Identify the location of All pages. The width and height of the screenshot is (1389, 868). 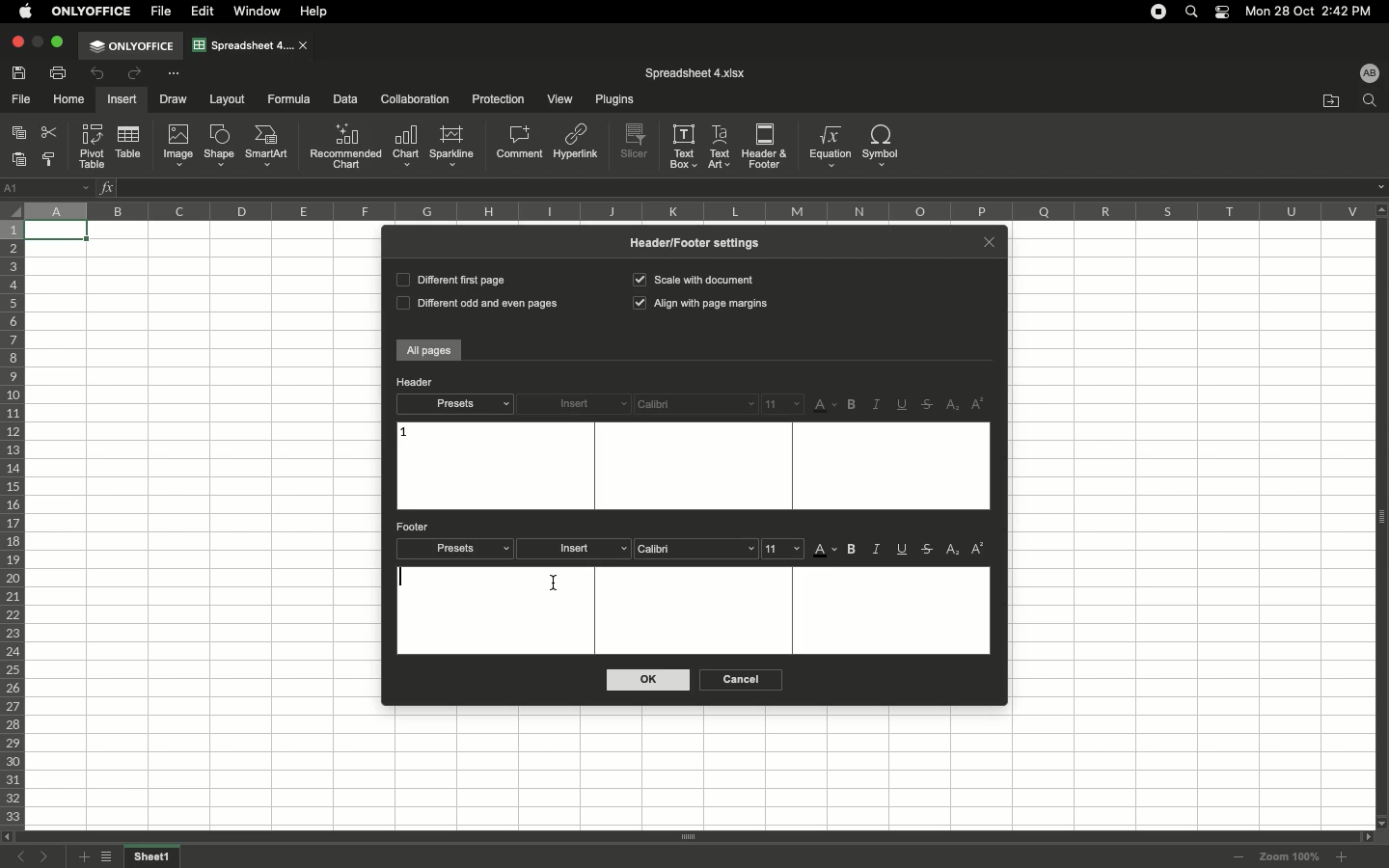
(429, 351).